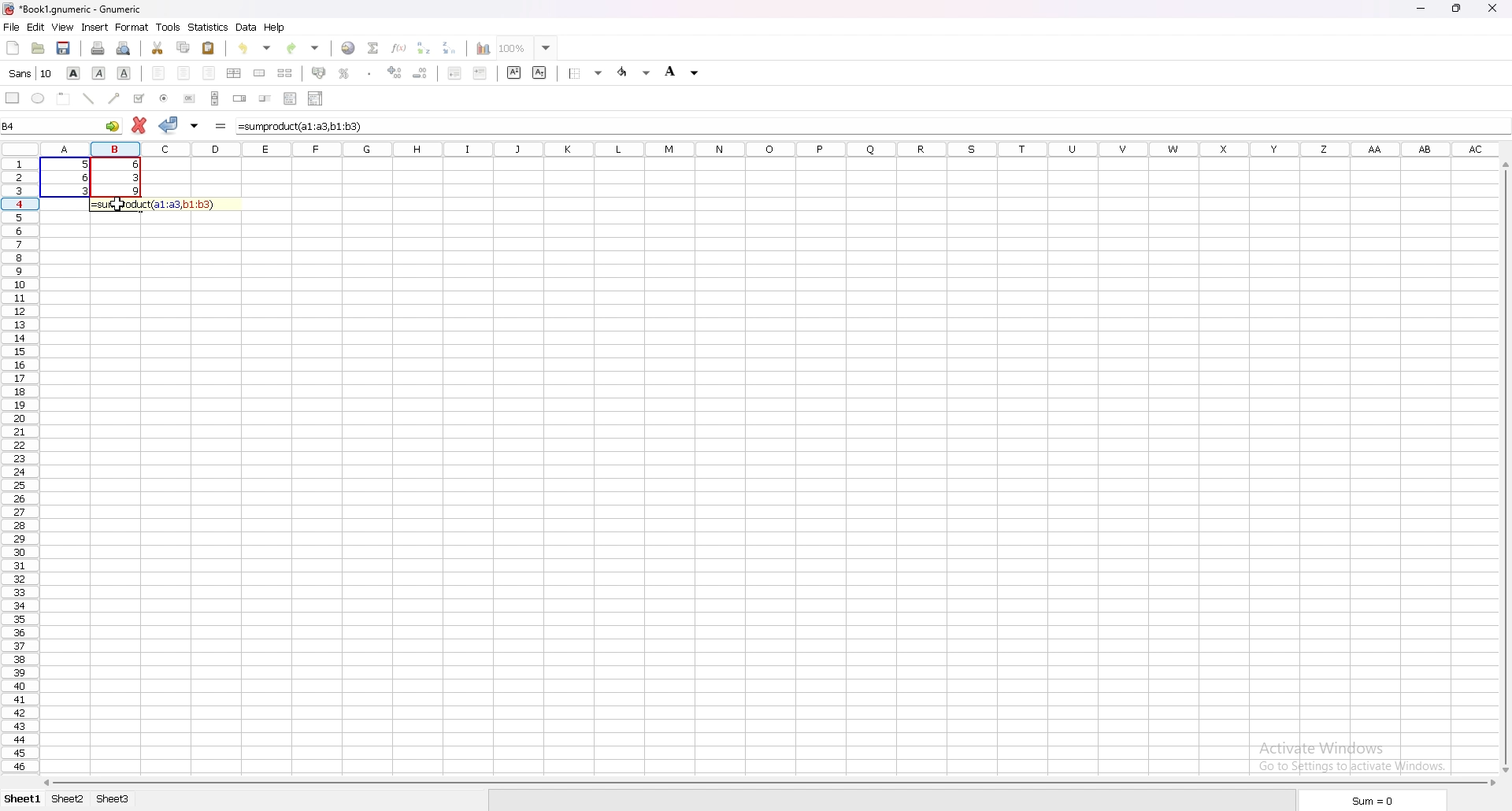 This screenshot has width=1512, height=811. I want to click on border, so click(583, 73).